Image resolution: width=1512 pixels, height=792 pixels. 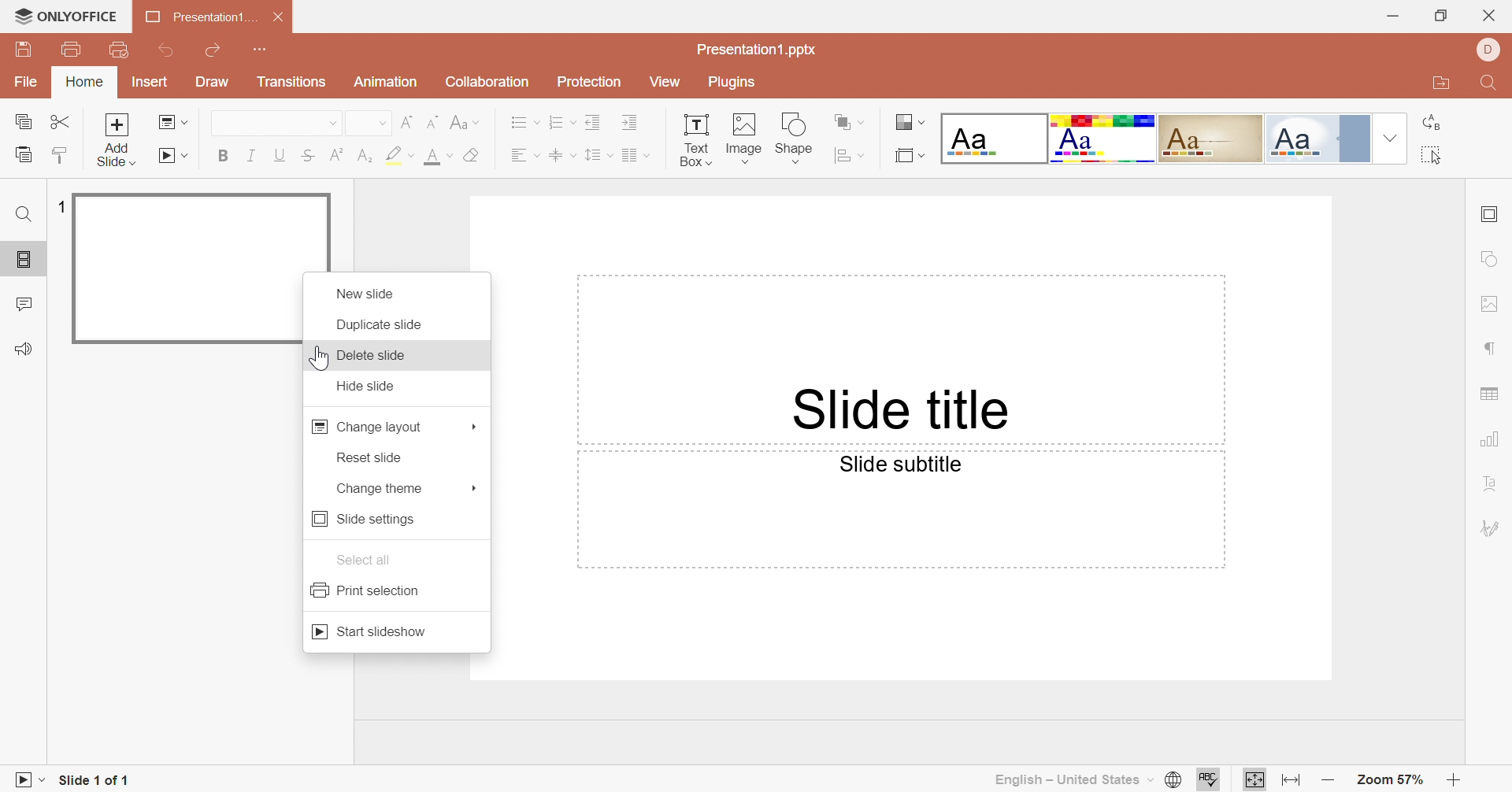 What do you see at coordinates (364, 560) in the screenshot?
I see `Select all` at bounding box center [364, 560].